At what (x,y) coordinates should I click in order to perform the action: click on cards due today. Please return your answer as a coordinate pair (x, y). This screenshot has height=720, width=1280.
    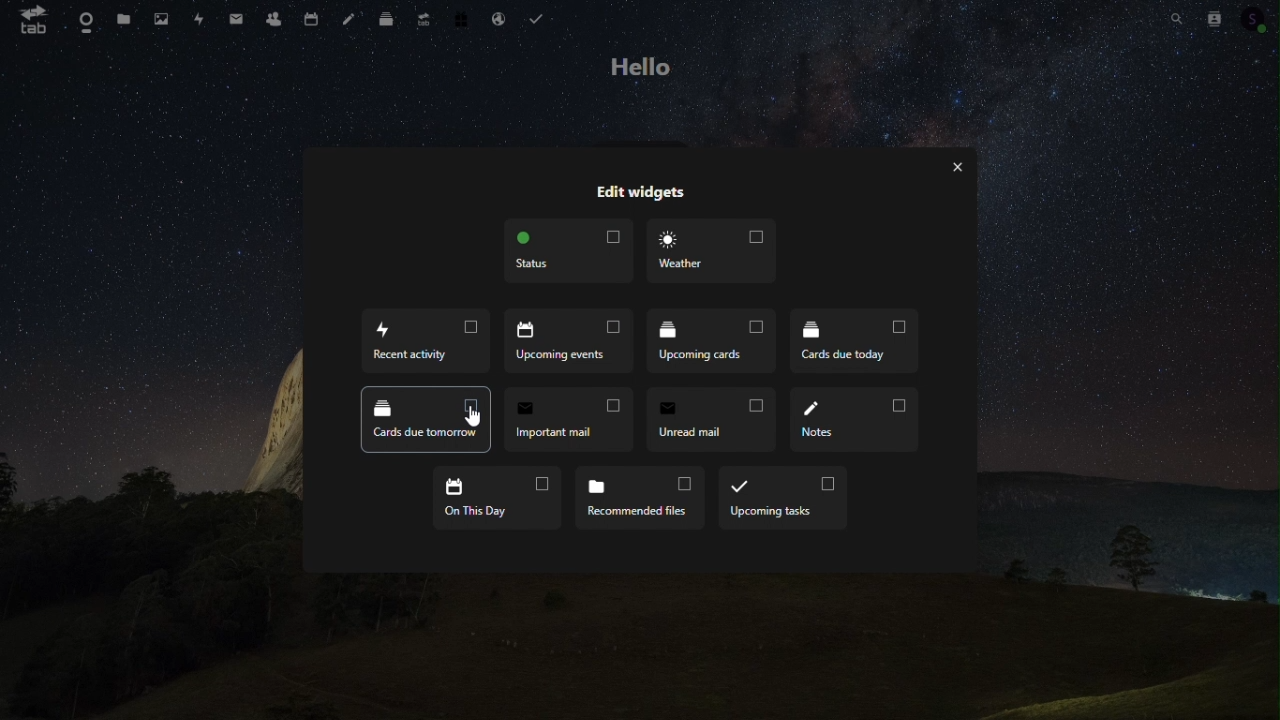
    Looking at the image, I should click on (854, 339).